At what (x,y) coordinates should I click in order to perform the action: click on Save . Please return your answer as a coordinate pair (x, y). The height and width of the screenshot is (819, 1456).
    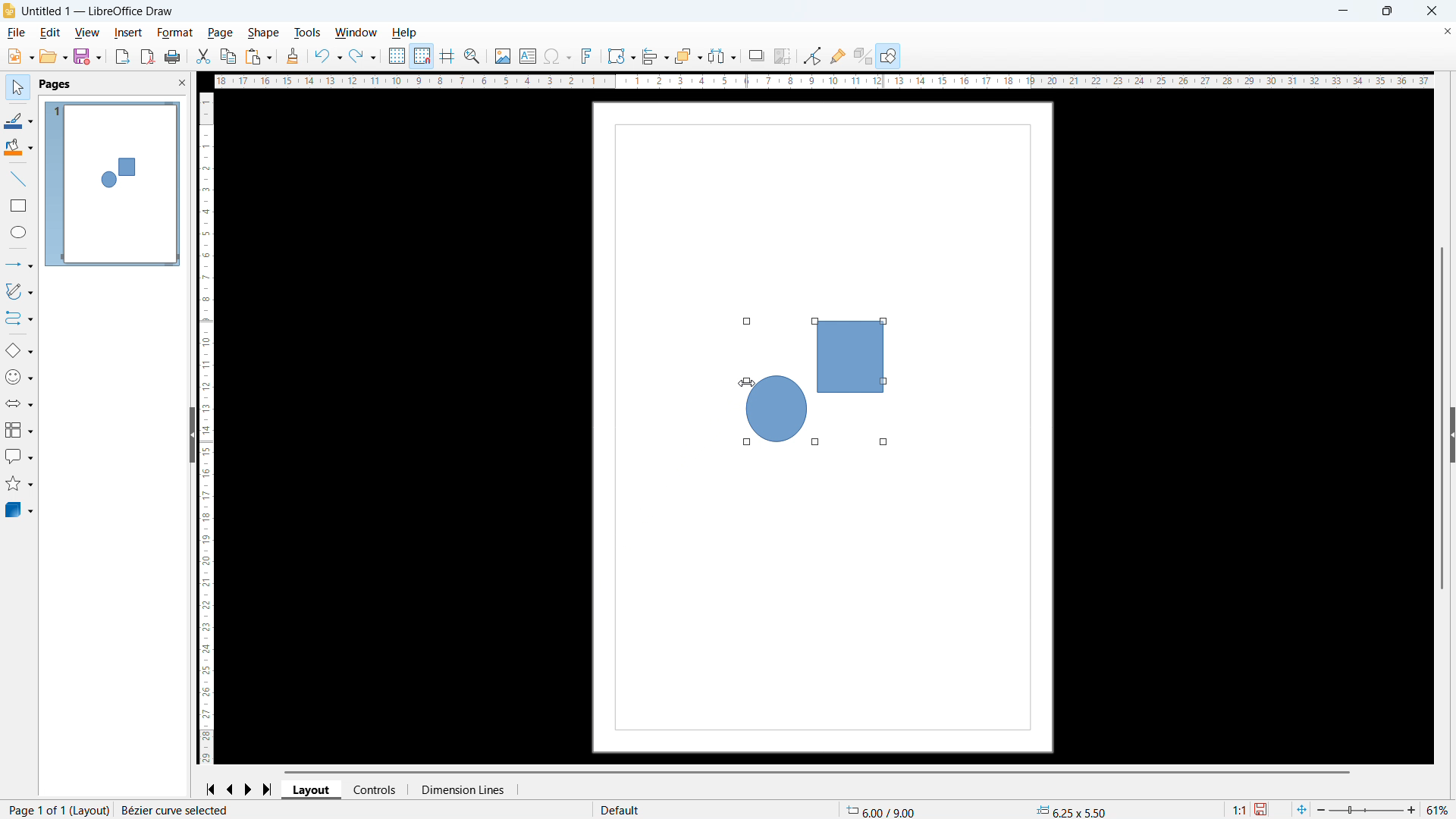
    Looking at the image, I should click on (1262, 810).